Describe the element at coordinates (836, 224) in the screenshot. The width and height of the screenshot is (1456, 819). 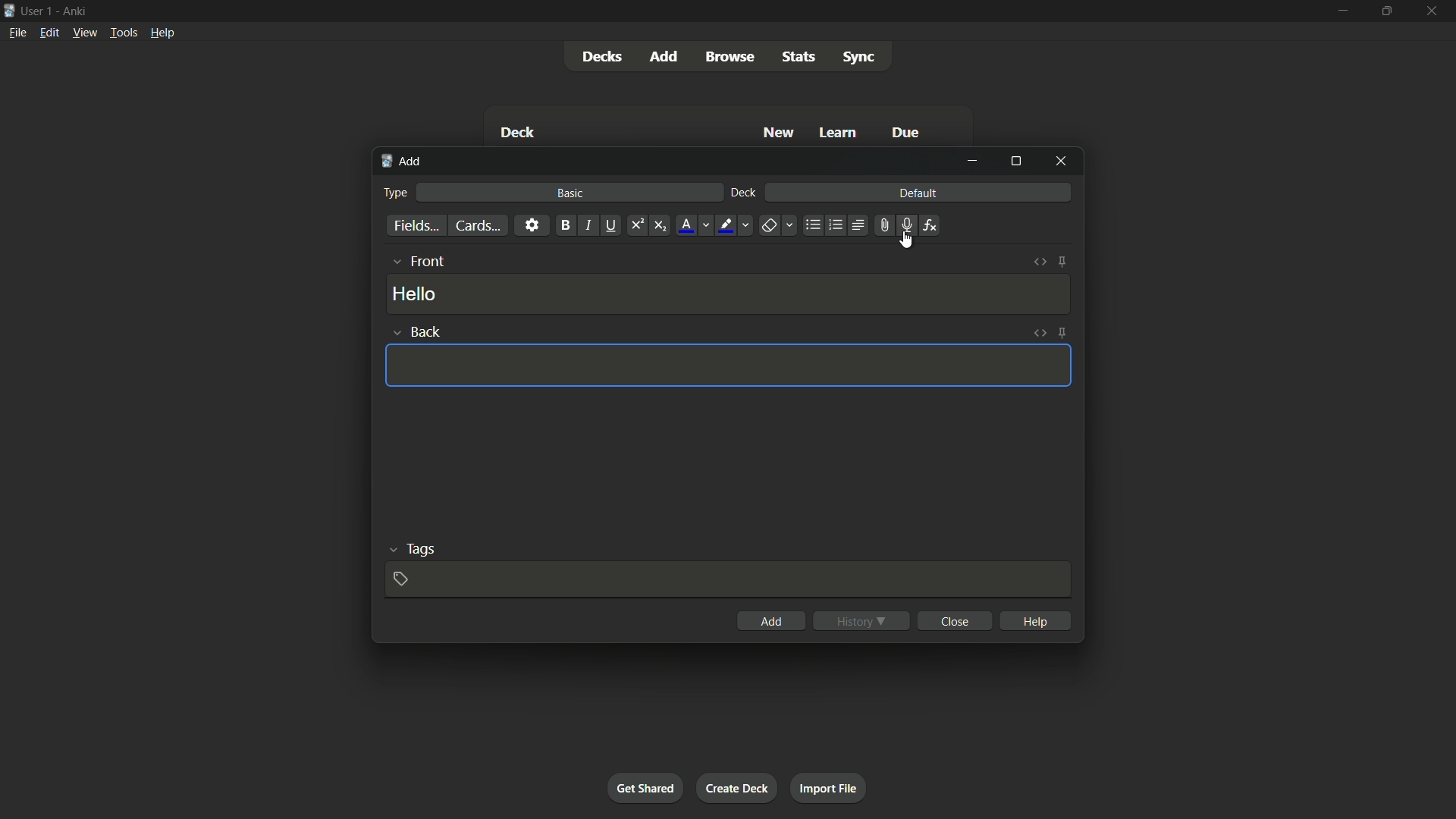
I see `ordered list` at that location.